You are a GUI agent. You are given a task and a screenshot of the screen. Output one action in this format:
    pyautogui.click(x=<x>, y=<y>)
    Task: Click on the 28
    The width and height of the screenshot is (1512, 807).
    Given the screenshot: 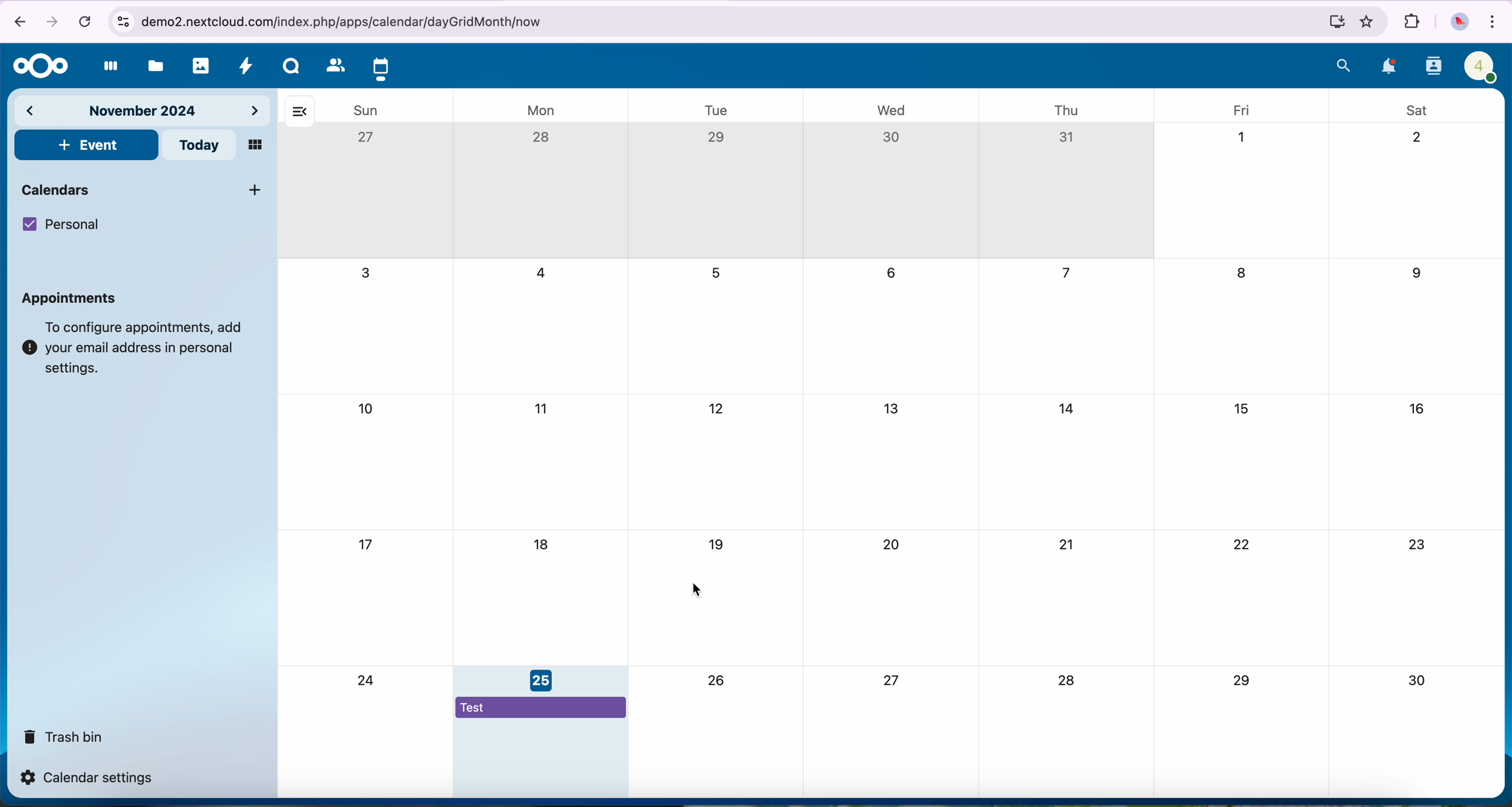 What is the action you would take?
    pyautogui.click(x=1067, y=682)
    